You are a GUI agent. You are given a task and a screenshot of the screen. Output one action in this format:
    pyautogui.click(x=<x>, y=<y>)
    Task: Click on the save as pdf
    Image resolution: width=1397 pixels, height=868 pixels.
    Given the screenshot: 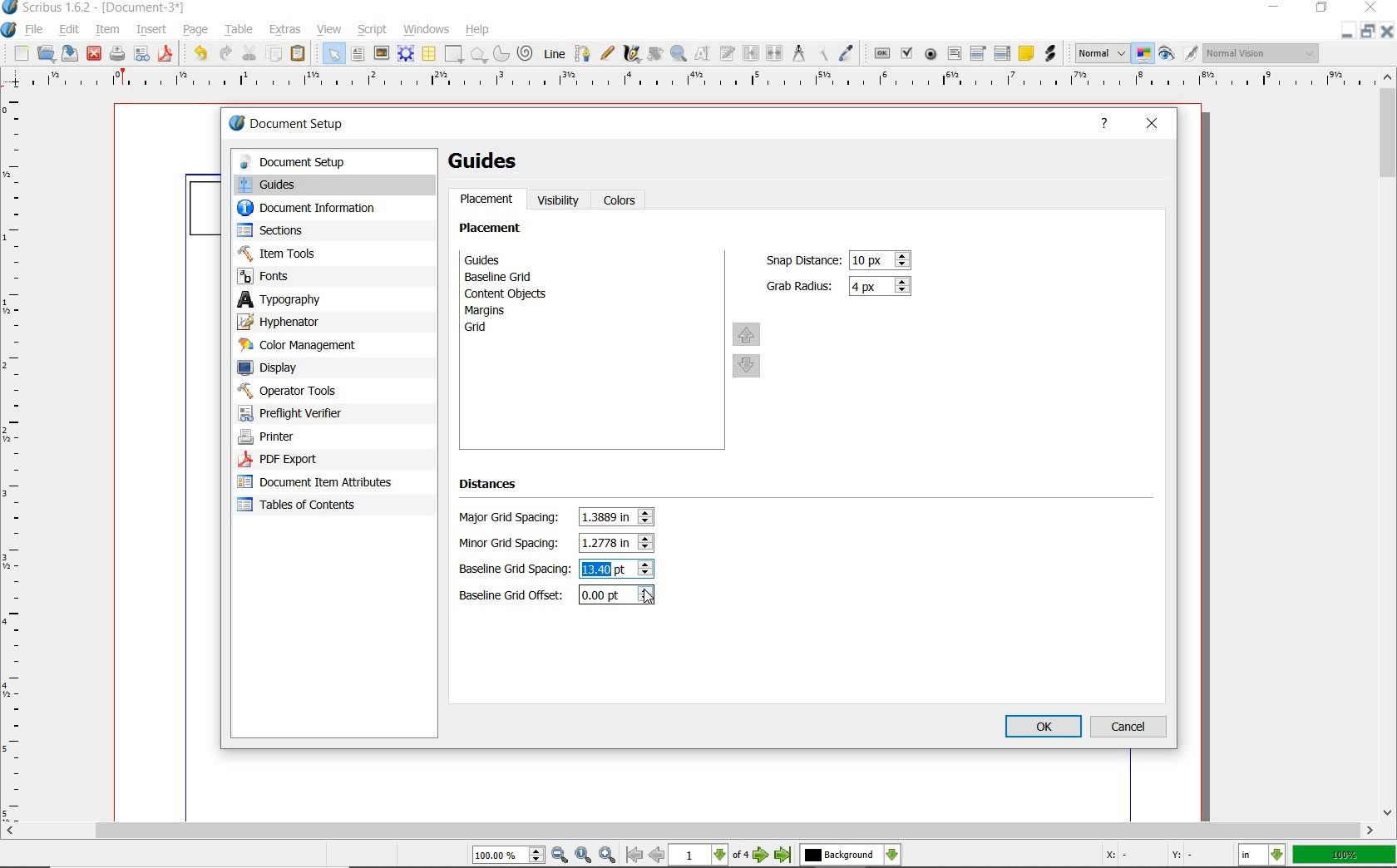 What is the action you would take?
    pyautogui.click(x=164, y=54)
    